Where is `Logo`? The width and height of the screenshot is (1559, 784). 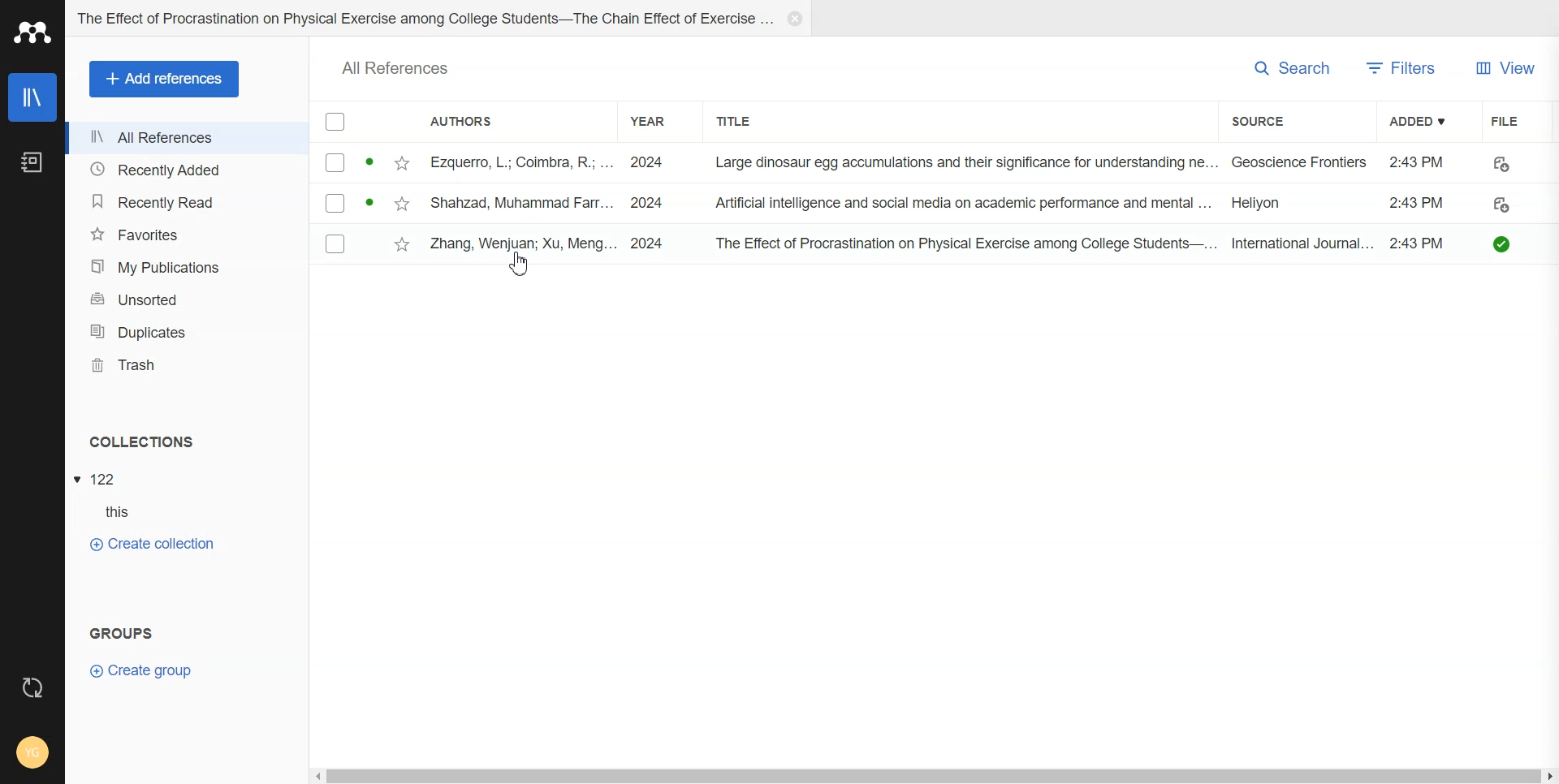 Logo is located at coordinates (32, 32).